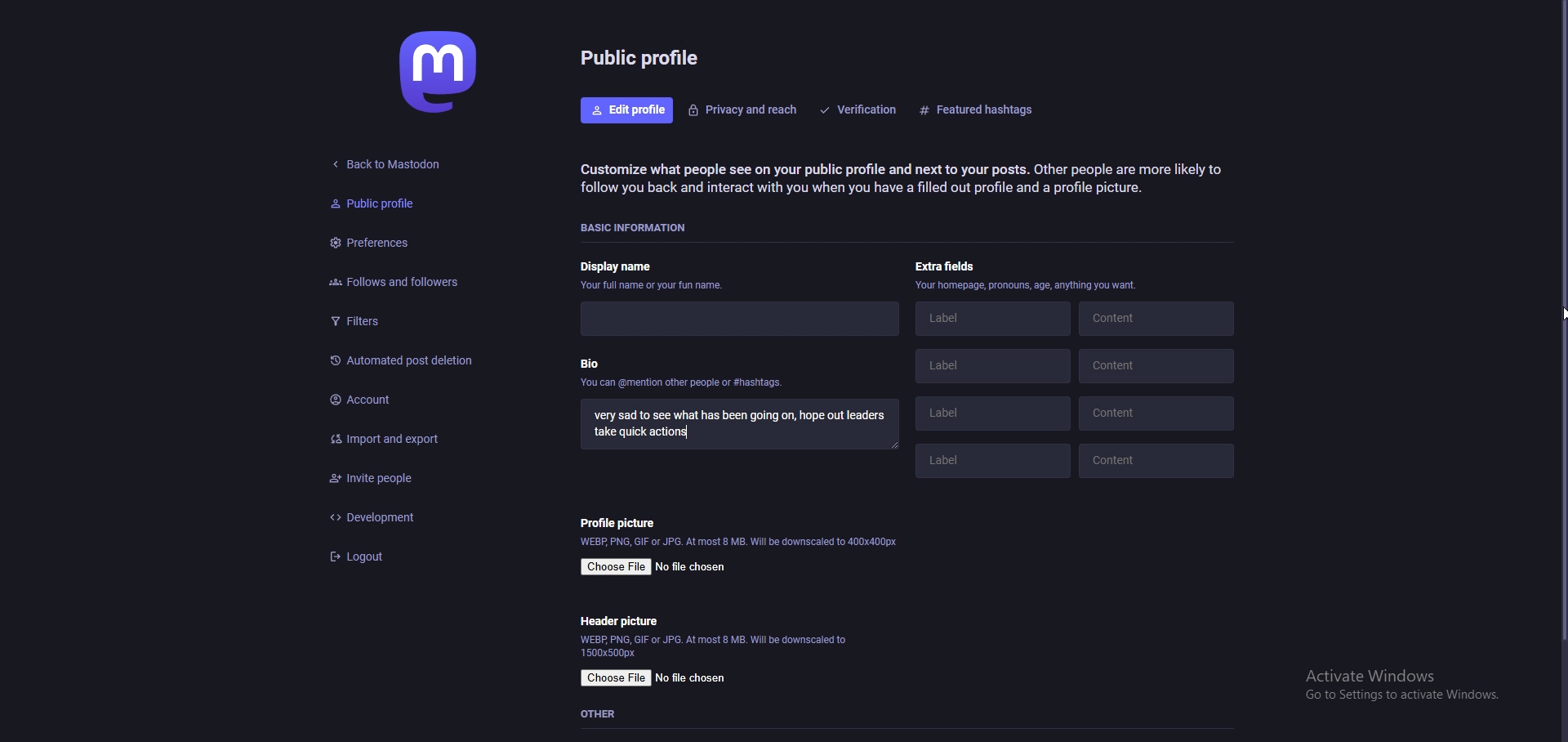 The width and height of the screenshot is (1568, 742). I want to click on header picture, so click(618, 621).